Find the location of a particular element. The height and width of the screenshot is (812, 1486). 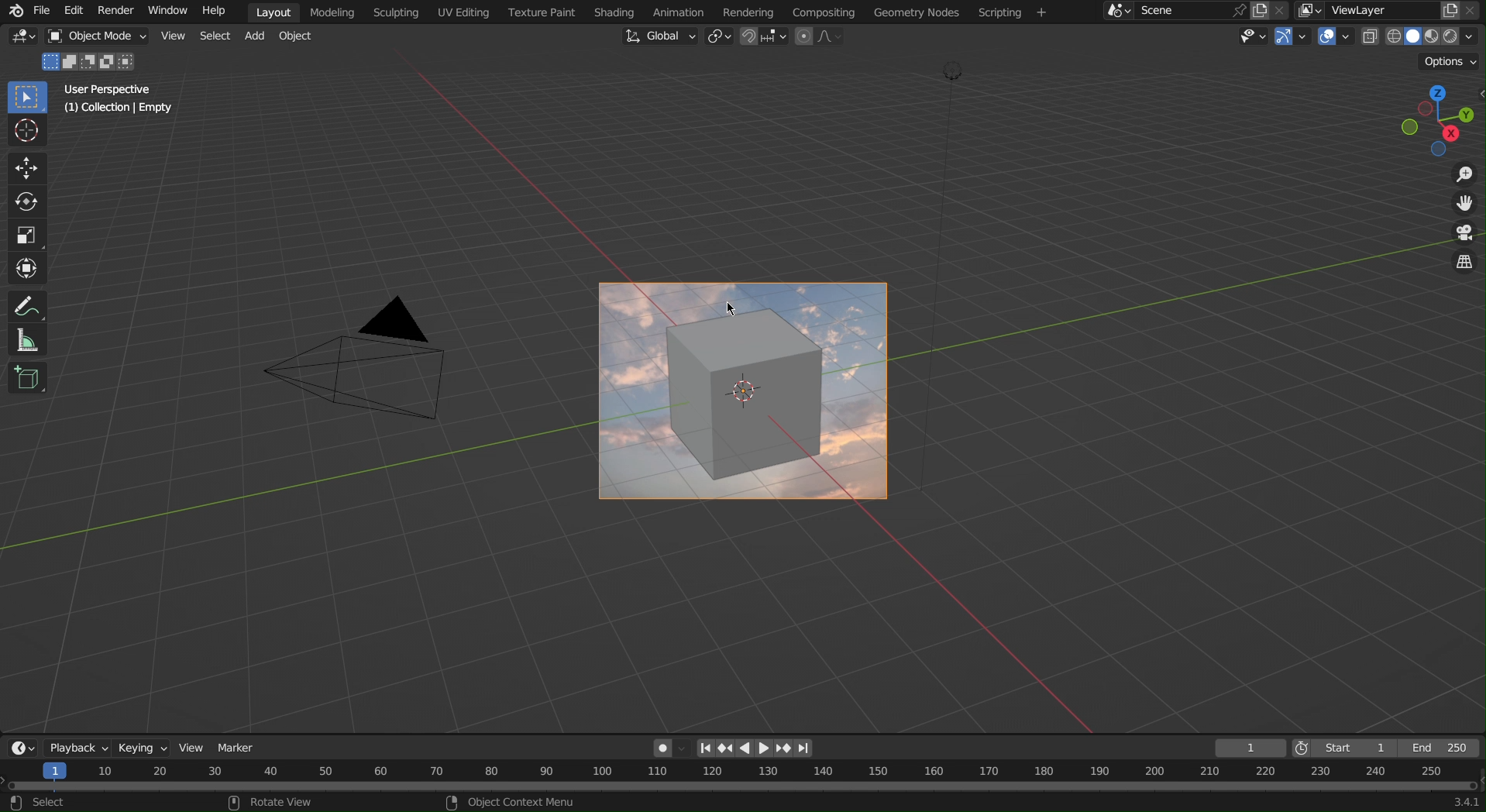

UV Editing is located at coordinates (459, 12).